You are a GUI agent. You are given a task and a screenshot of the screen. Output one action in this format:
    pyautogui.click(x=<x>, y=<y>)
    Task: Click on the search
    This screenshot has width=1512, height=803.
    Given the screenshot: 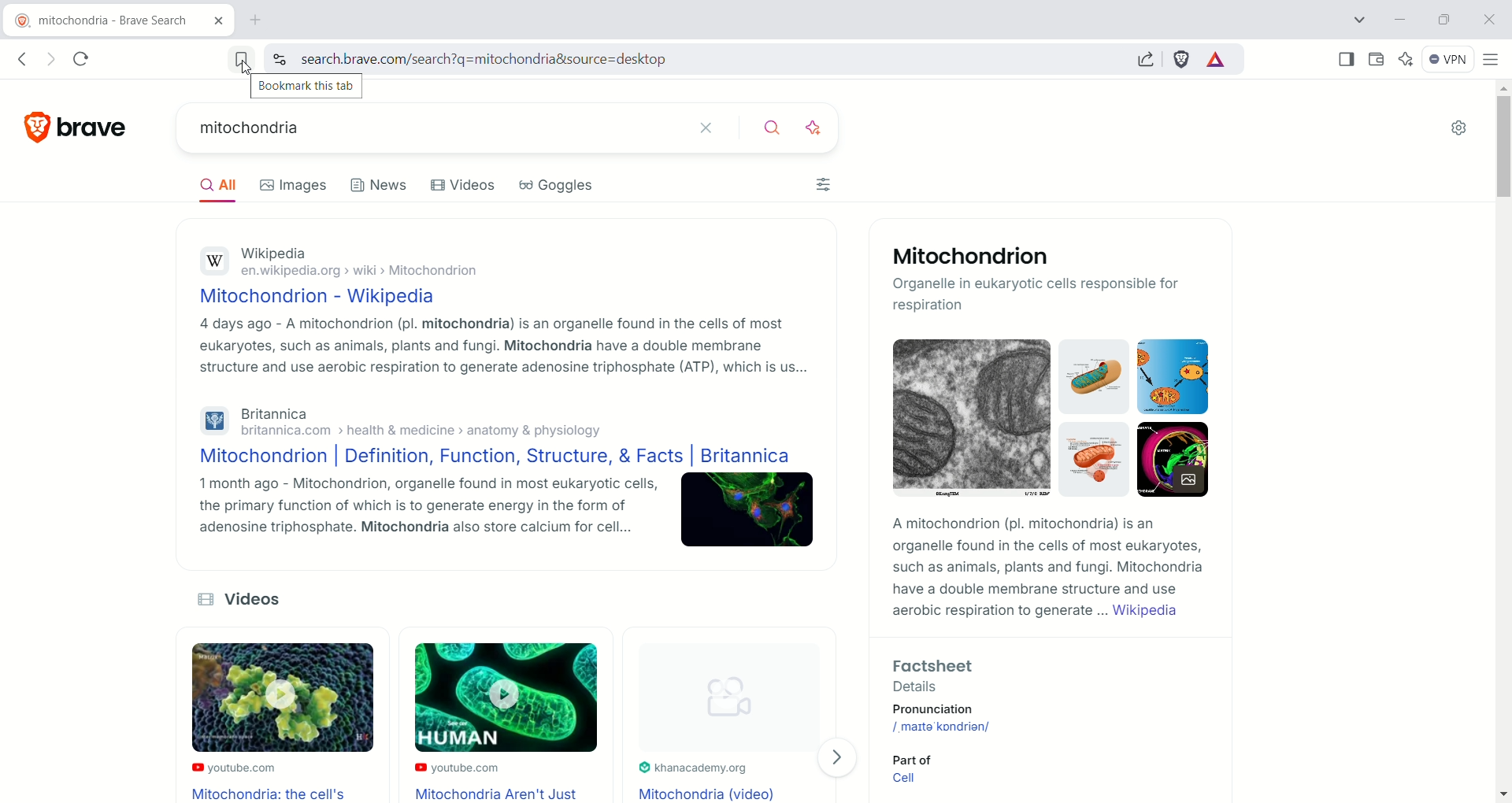 What is the action you would take?
    pyautogui.click(x=764, y=128)
    